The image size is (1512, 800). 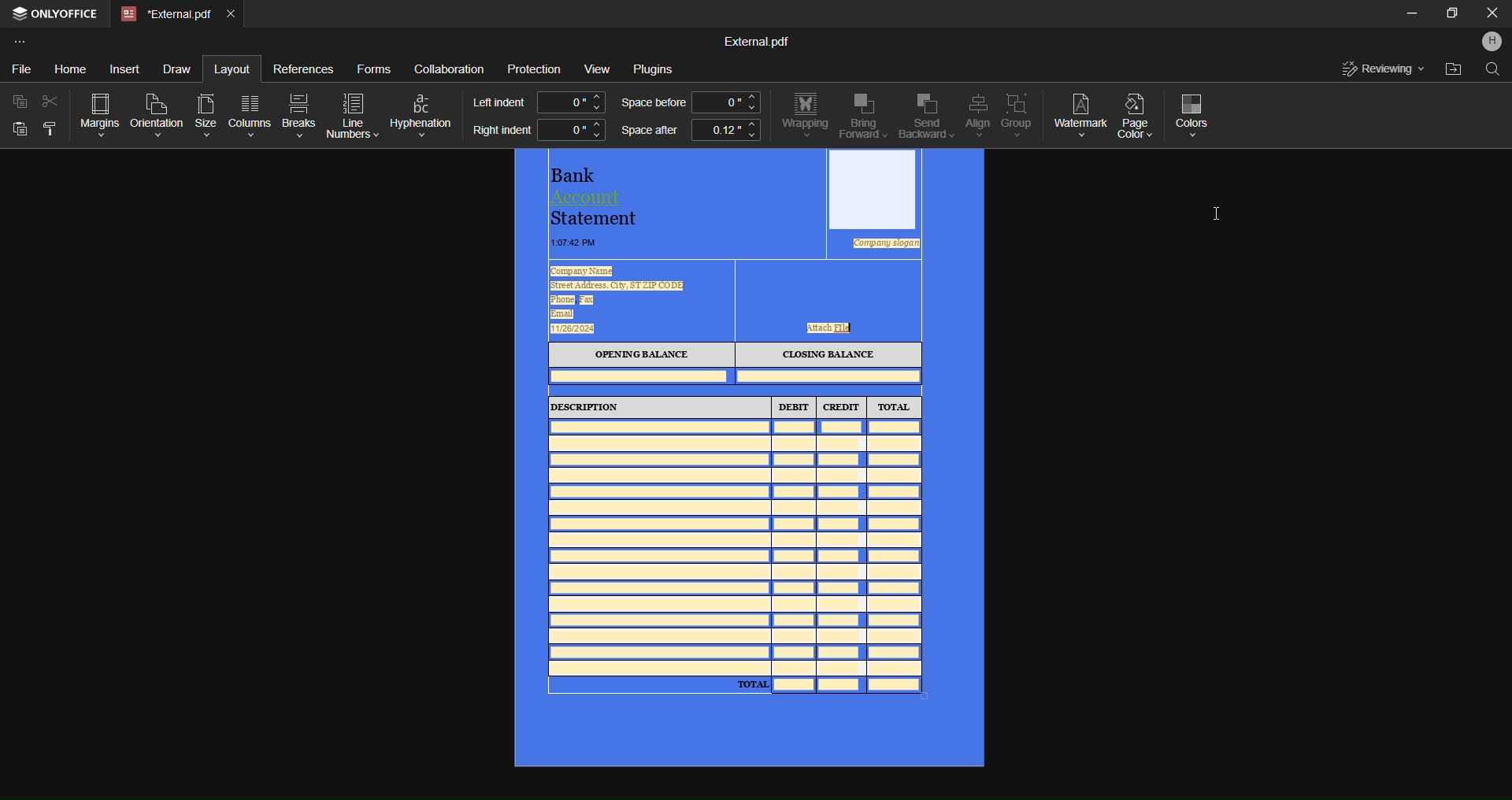 What do you see at coordinates (23, 66) in the screenshot?
I see `File` at bounding box center [23, 66].